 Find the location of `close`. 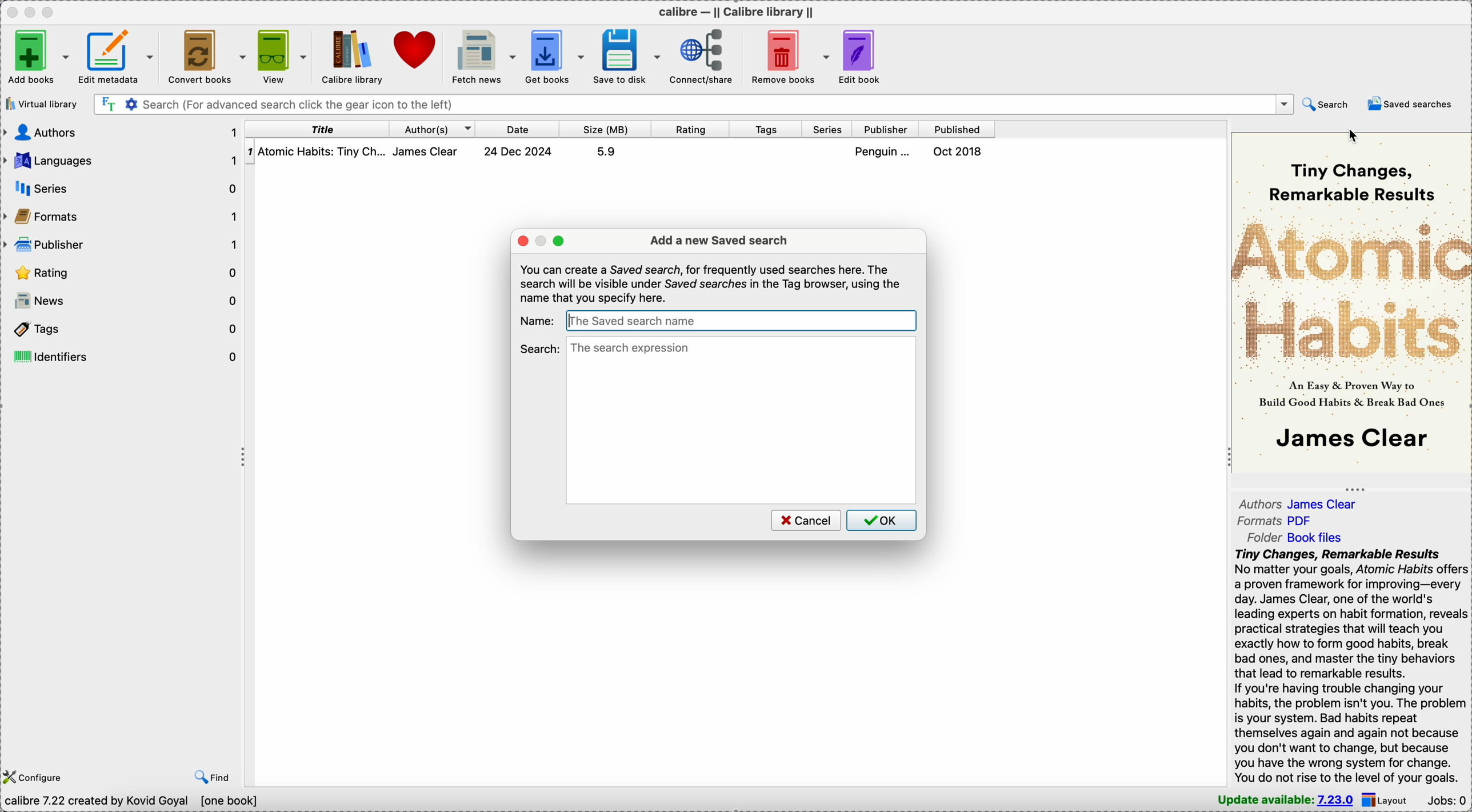

close is located at coordinates (11, 11).